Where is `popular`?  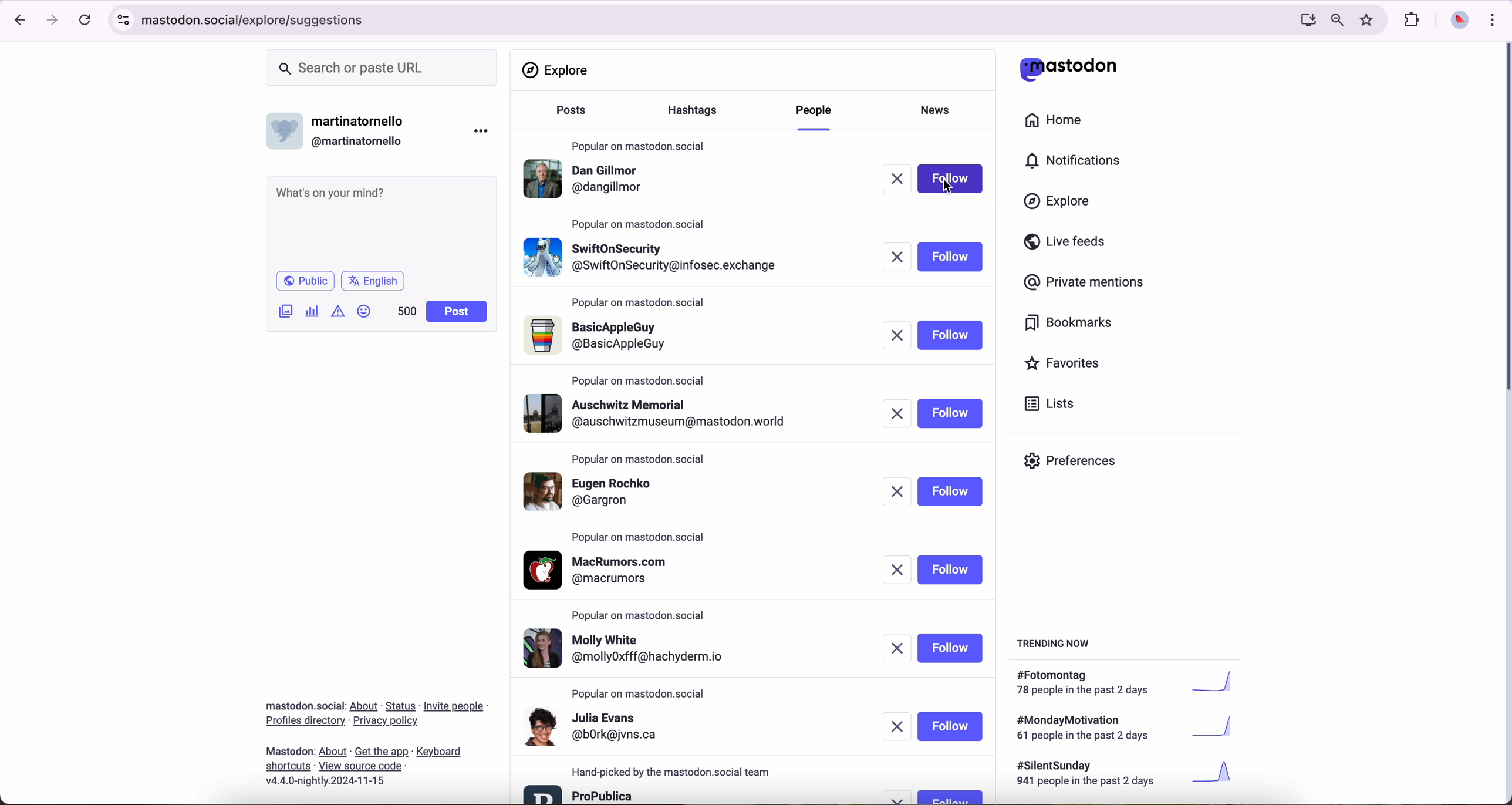 popular is located at coordinates (639, 380).